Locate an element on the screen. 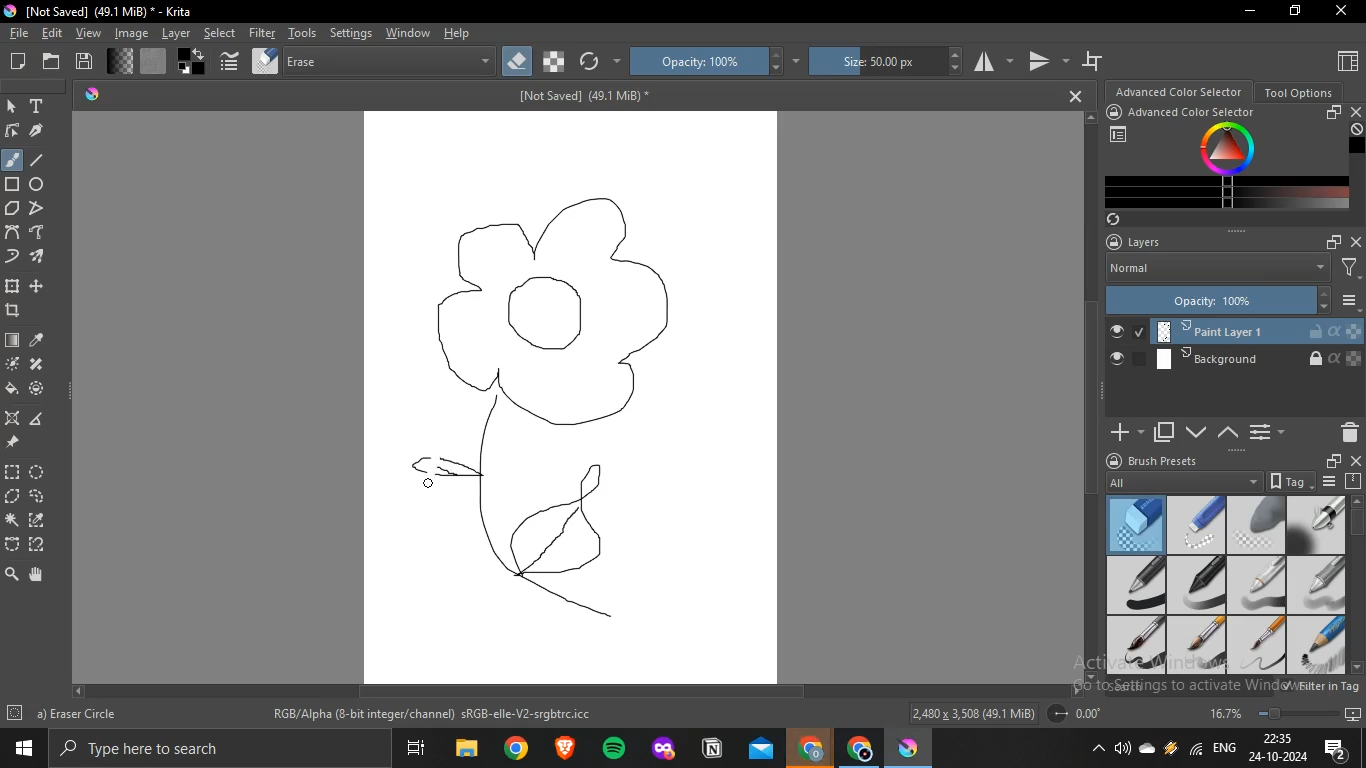 This screenshot has width=1366, height=768. dynamic brush tooth is located at coordinates (13, 258).